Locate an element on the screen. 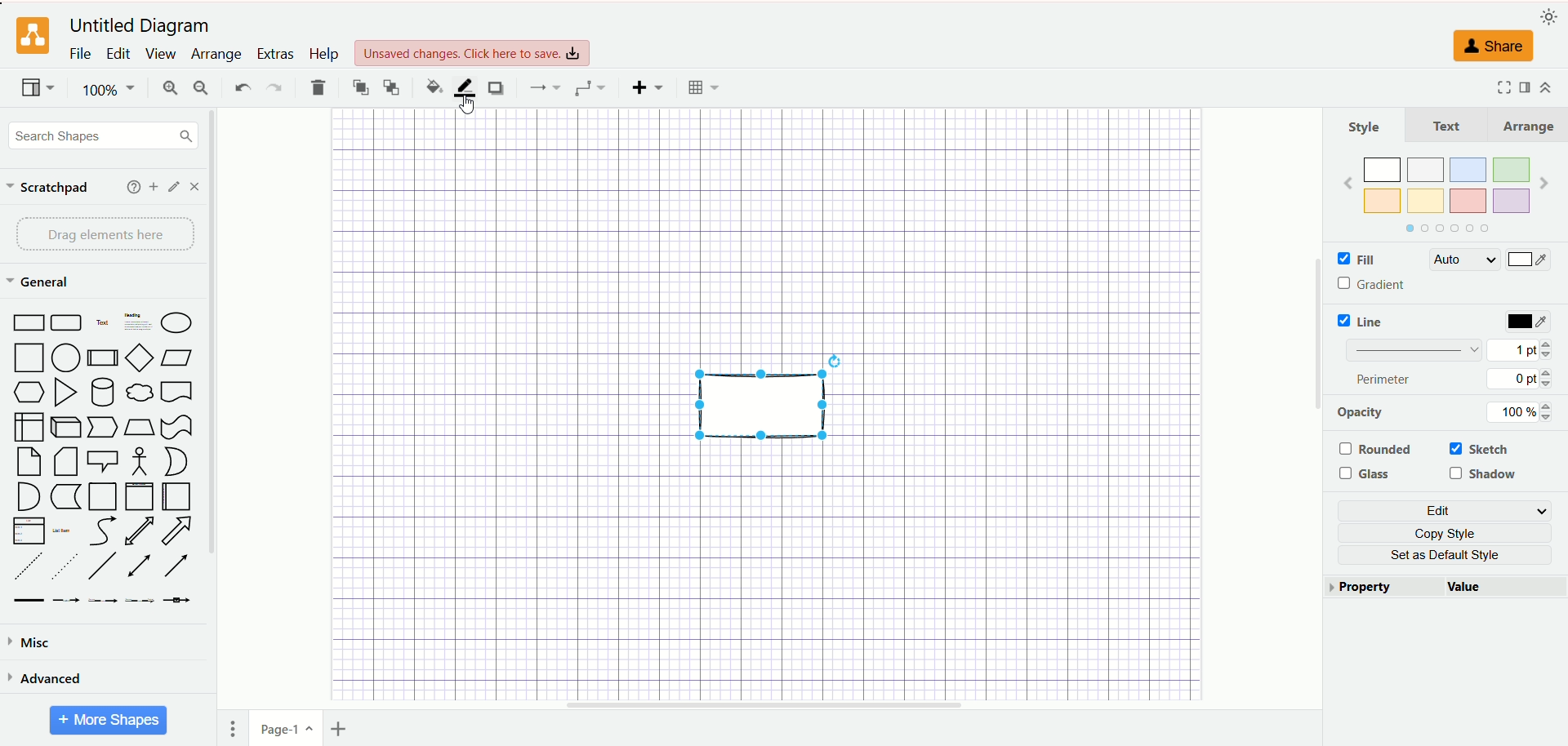 Image resolution: width=1568 pixels, height=746 pixels. appearance is located at coordinates (1545, 16).